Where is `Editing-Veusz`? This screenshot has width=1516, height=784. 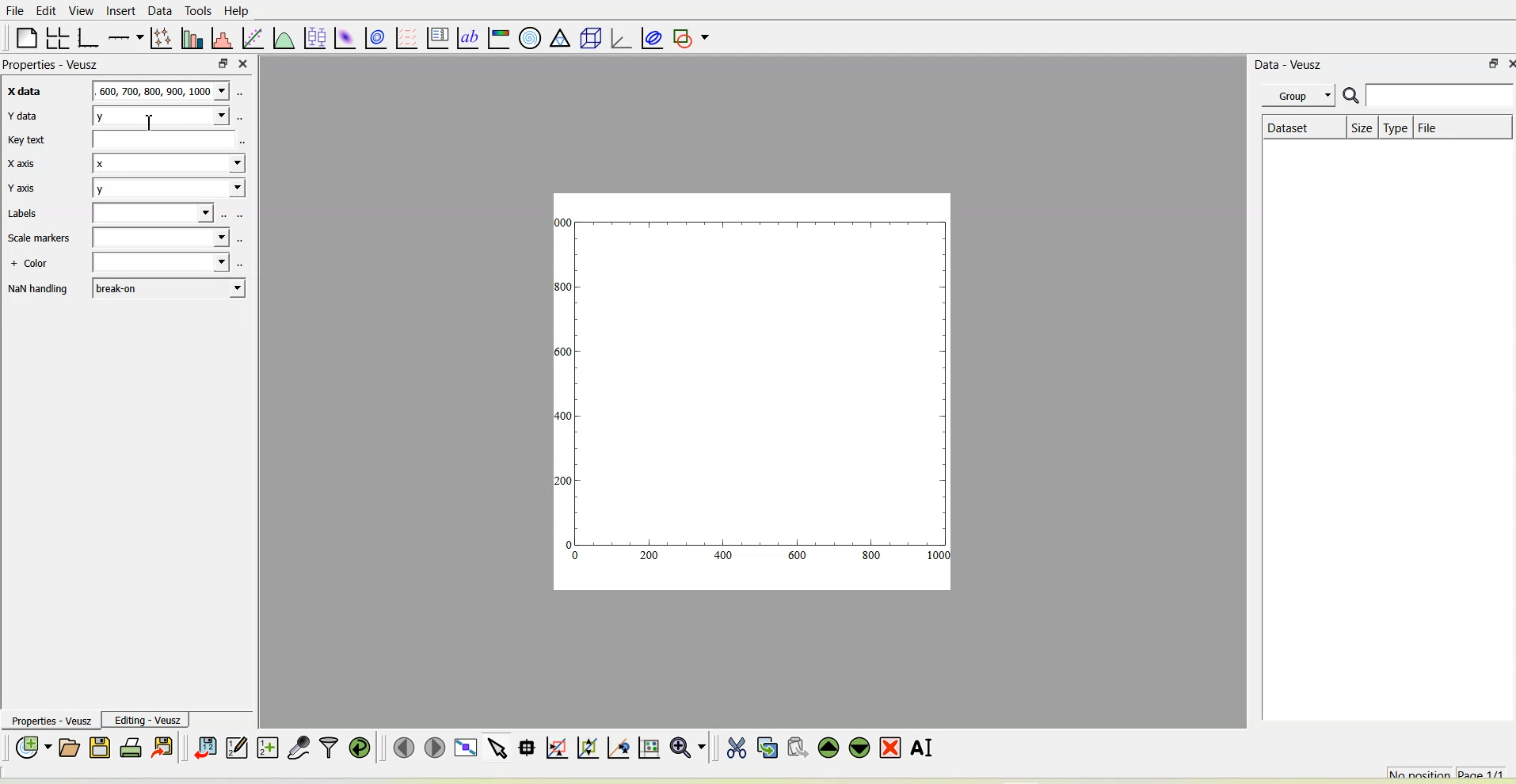
Editing-Veusz is located at coordinates (146, 720).